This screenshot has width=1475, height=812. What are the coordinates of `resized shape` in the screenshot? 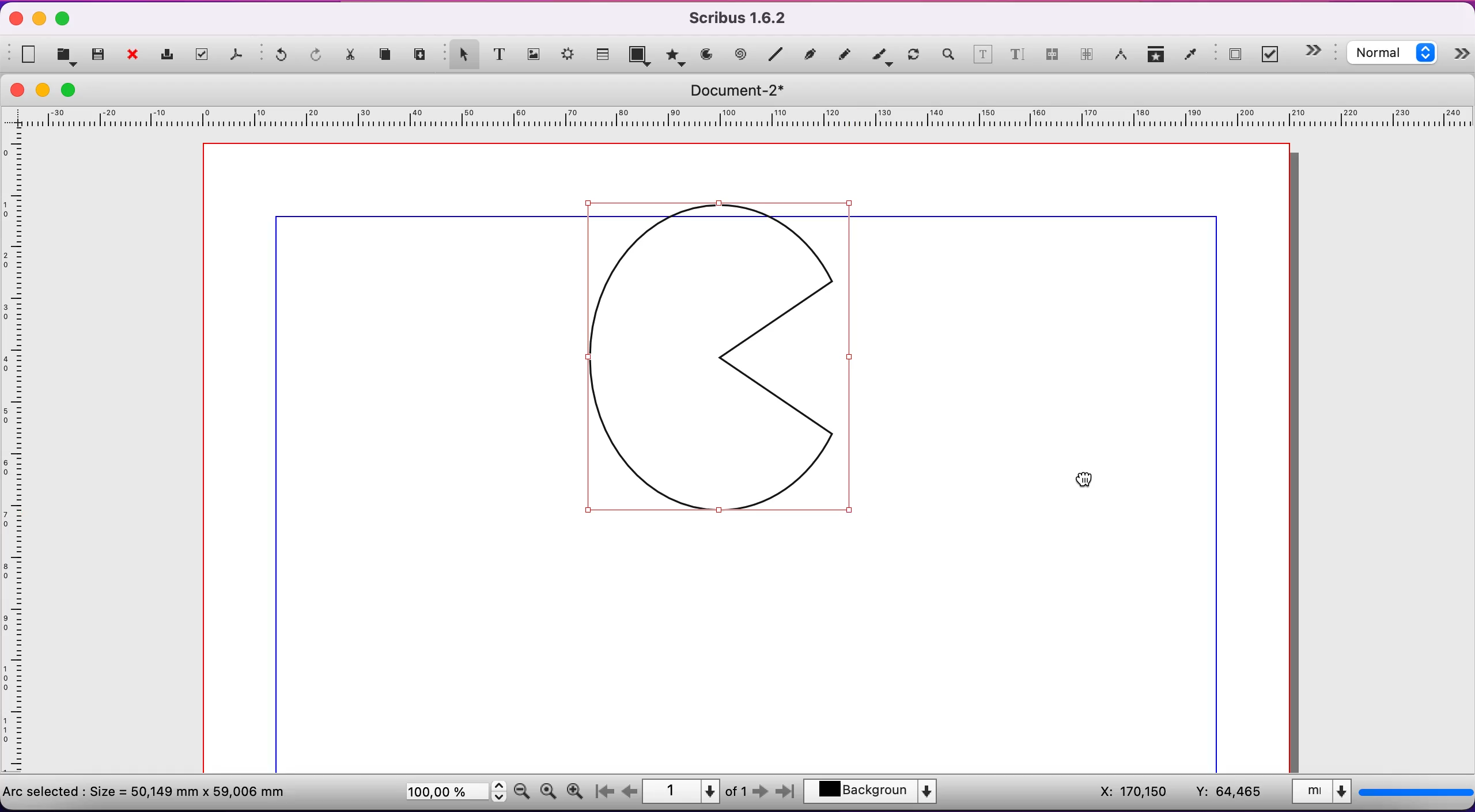 It's located at (746, 366).